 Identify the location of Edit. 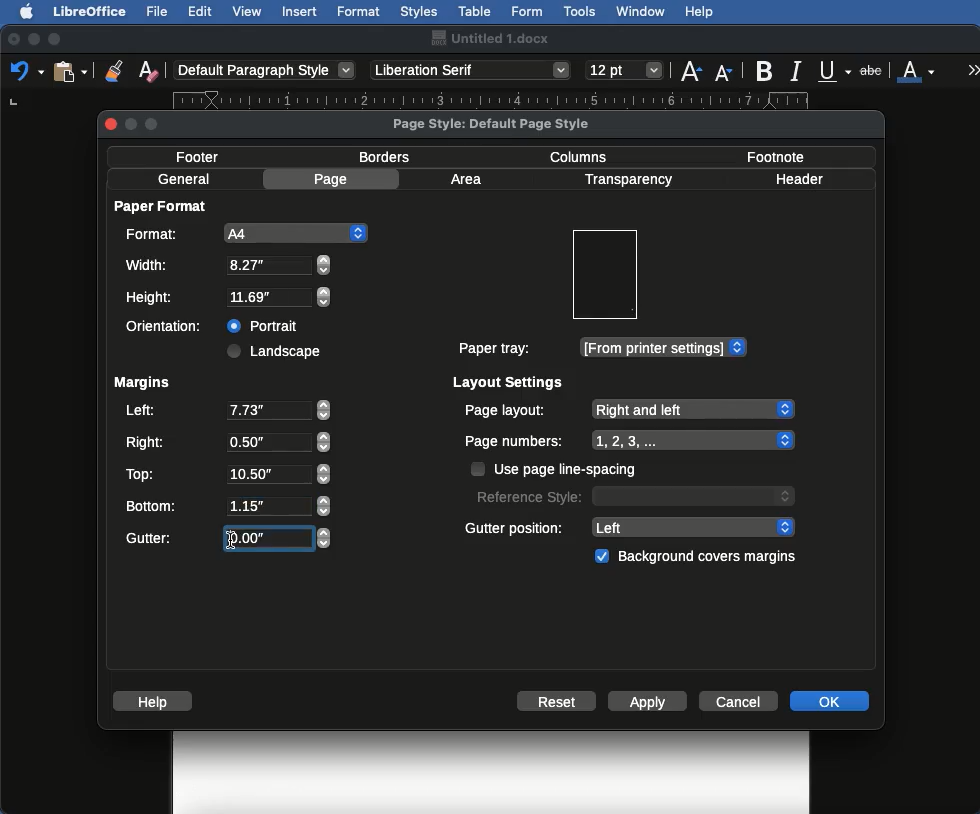
(200, 11).